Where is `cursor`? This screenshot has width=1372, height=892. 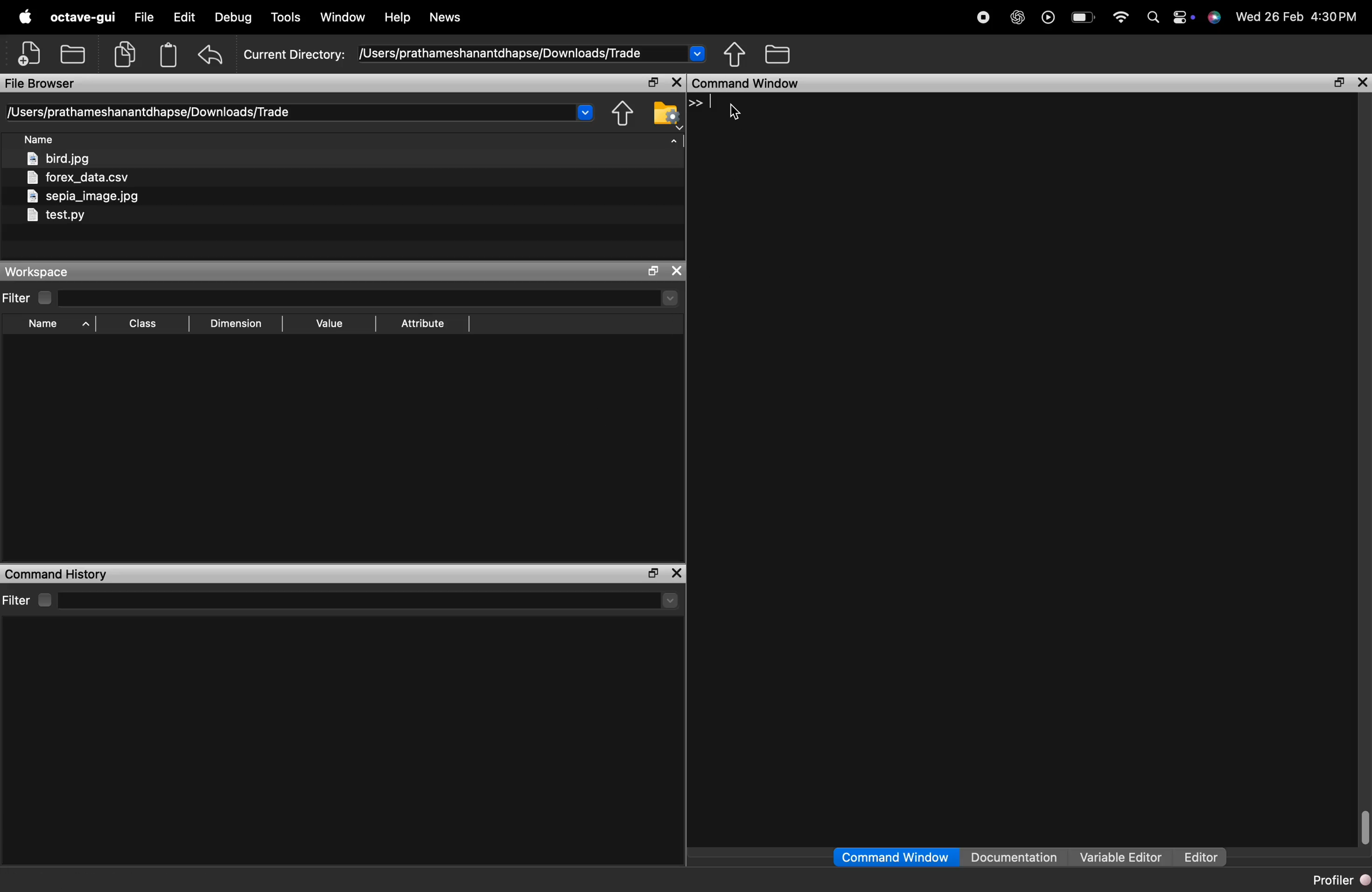
cursor is located at coordinates (736, 112).